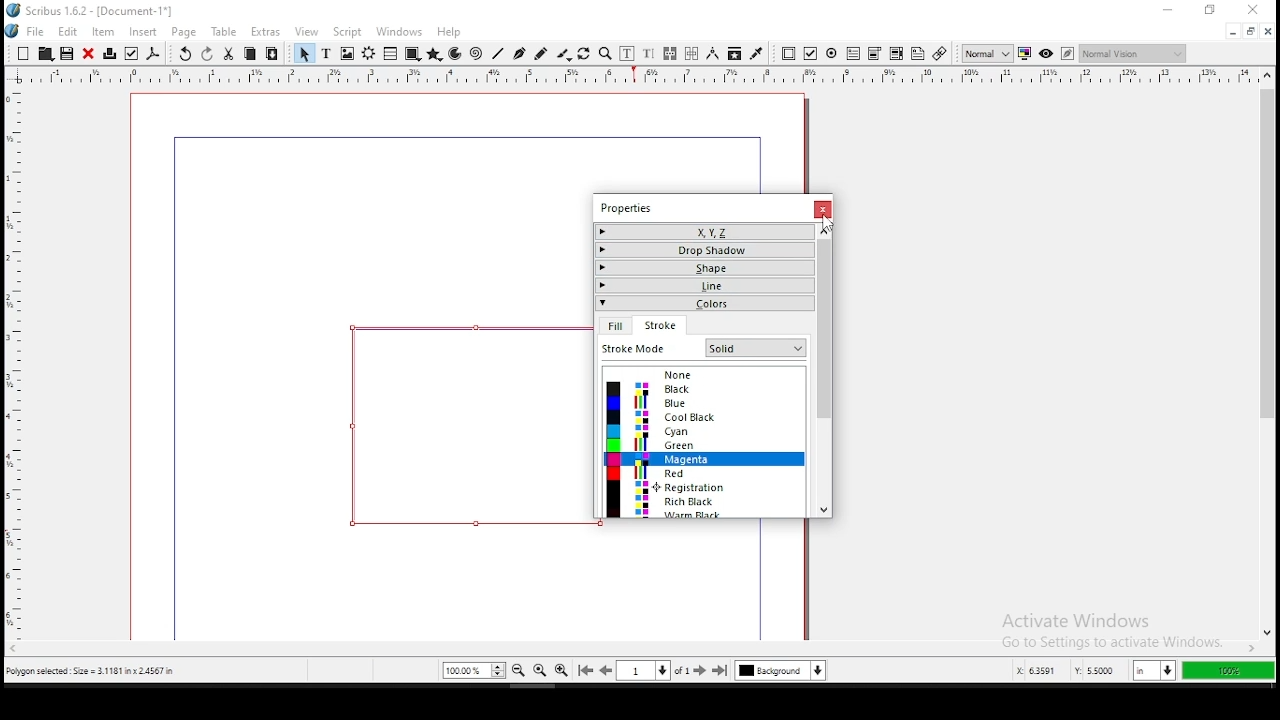 This screenshot has width=1280, height=720. Describe the element at coordinates (1250, 33) in the screenshot. I see `restore` at that location.